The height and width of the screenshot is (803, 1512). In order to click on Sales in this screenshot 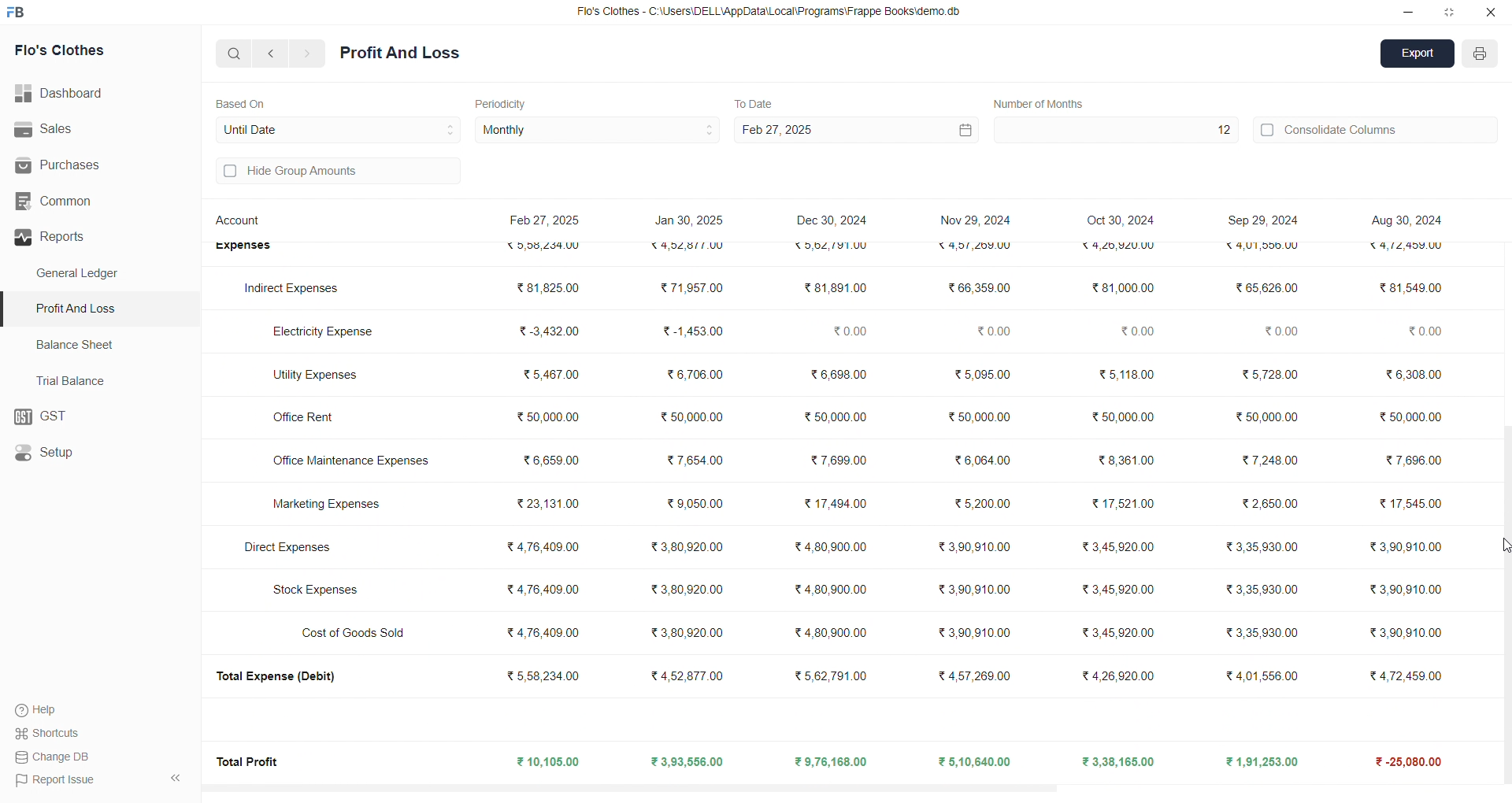, I will do `click(90, 130)`.